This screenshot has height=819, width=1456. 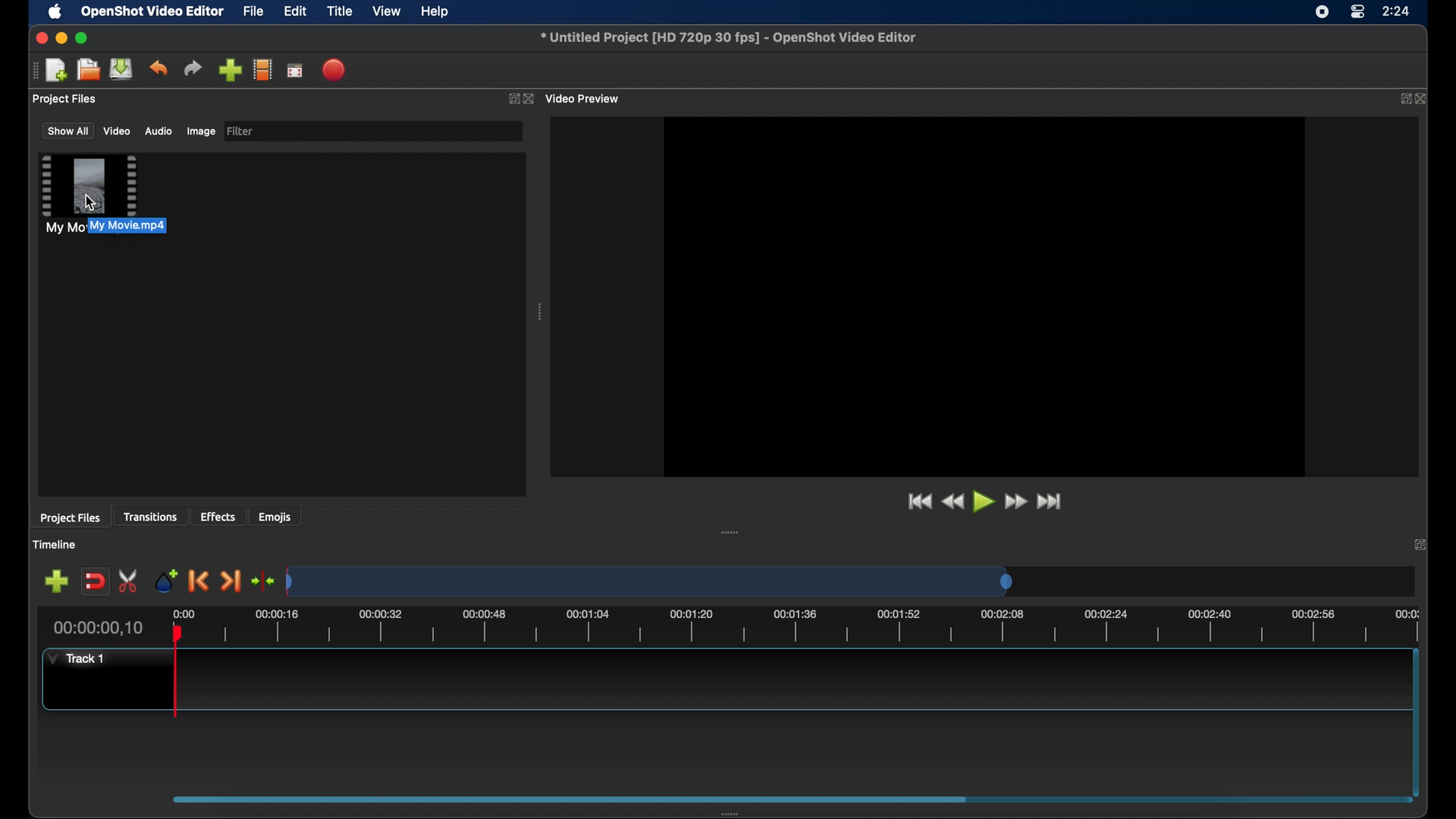 What do you see at coordinates (38, 38) in the screenshot?
I see `close` at bounding box center [38, 38].